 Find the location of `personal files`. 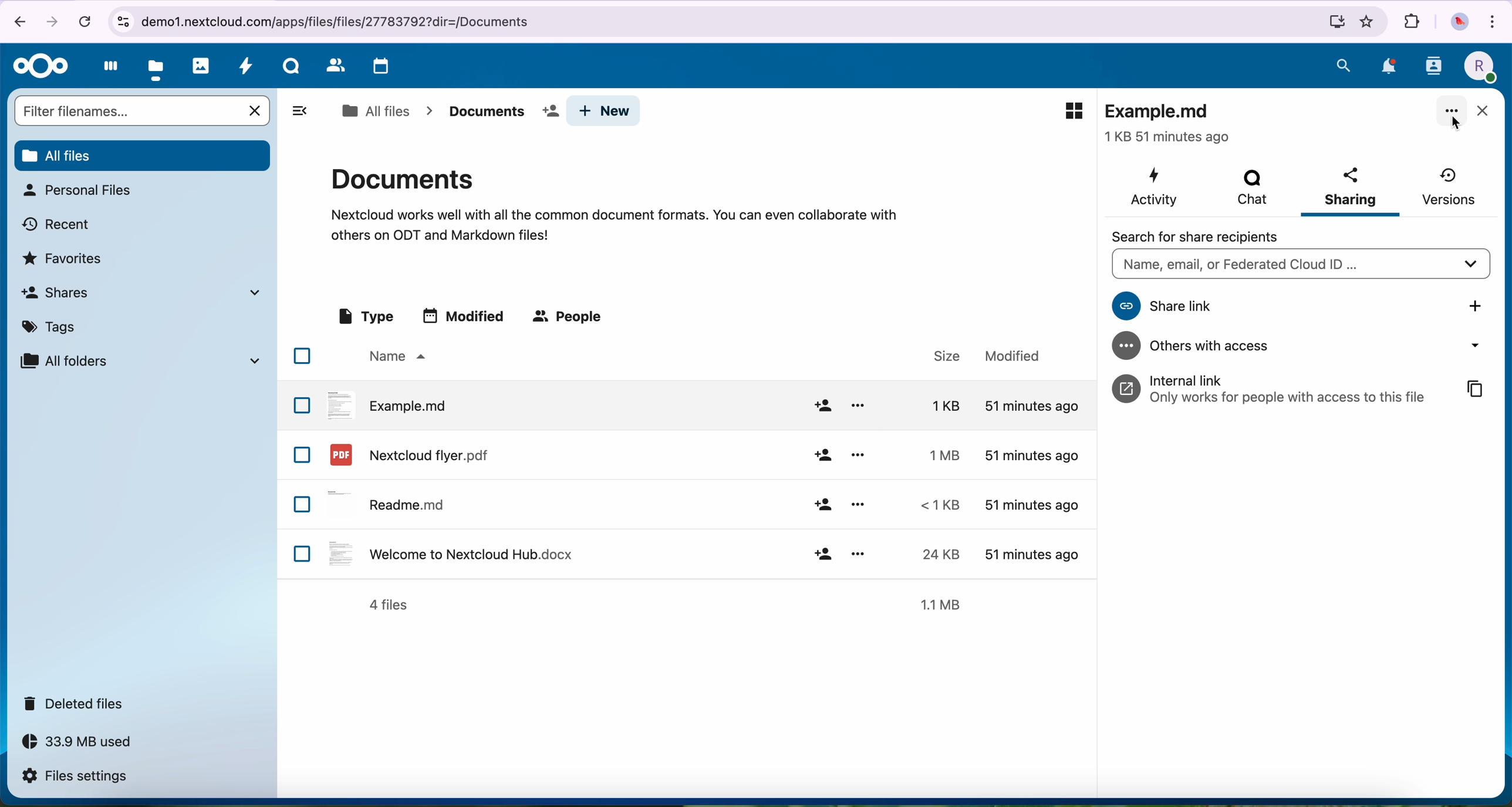

personal files is located at coordinates (76, 190).